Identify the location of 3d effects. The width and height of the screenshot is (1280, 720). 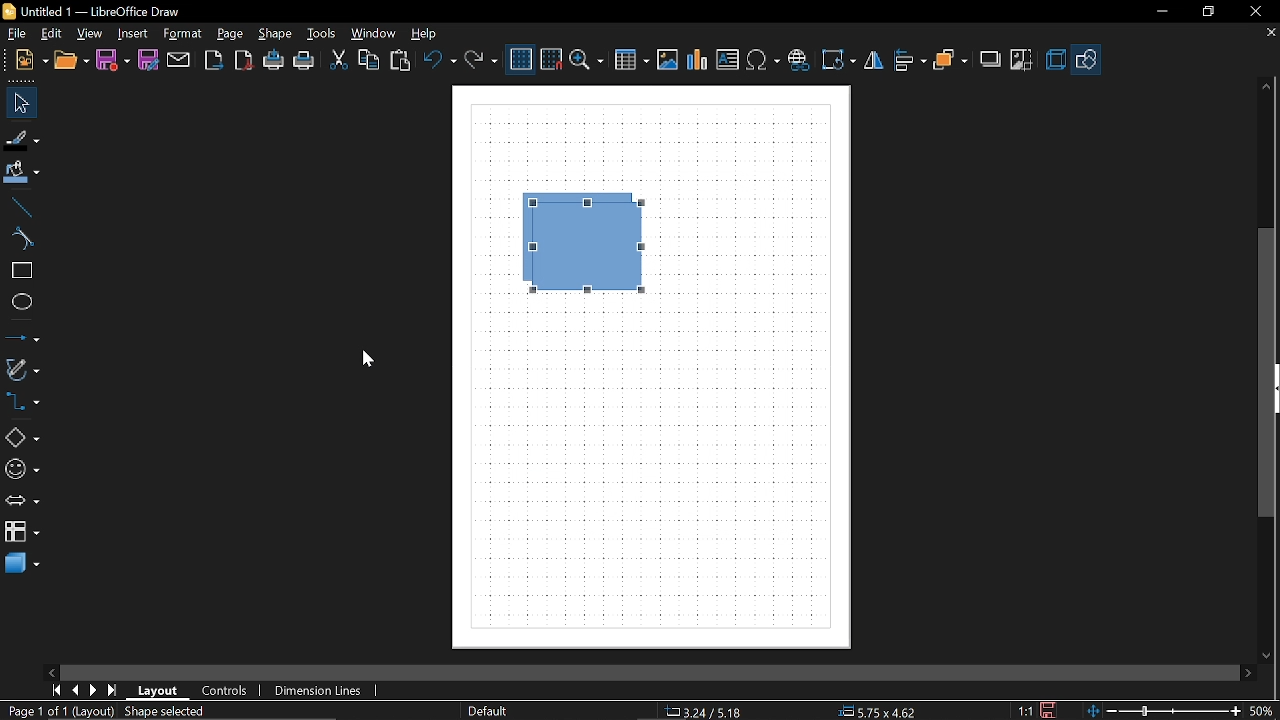
(1055, 60).